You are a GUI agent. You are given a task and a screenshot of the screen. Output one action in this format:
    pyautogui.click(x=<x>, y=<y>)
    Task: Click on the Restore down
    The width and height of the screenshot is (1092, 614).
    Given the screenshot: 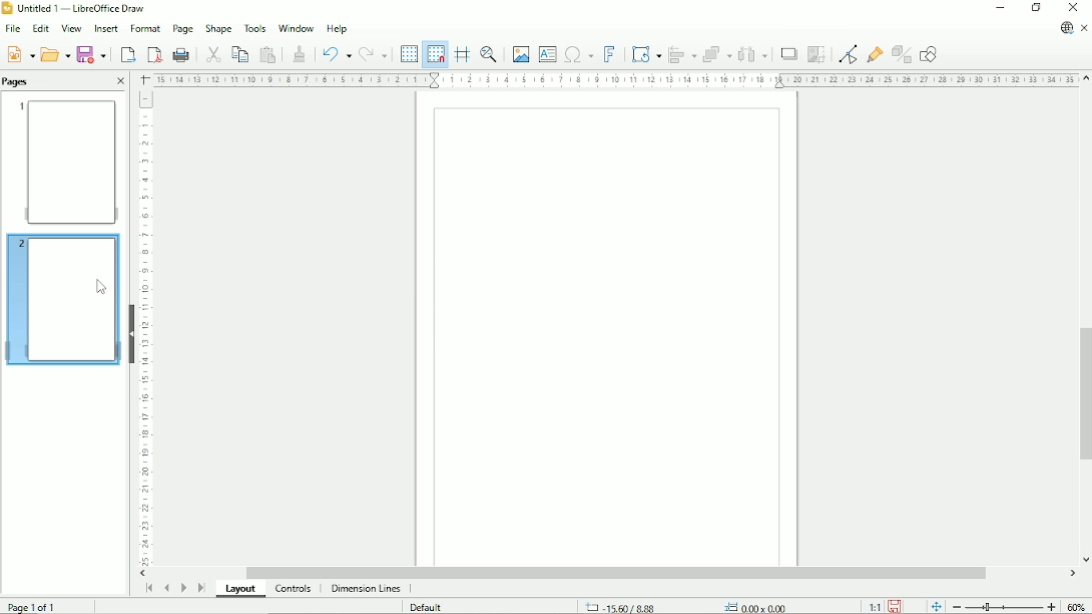 What is the action you would take?
    pyautogui.click(x=1036, y=8)
    